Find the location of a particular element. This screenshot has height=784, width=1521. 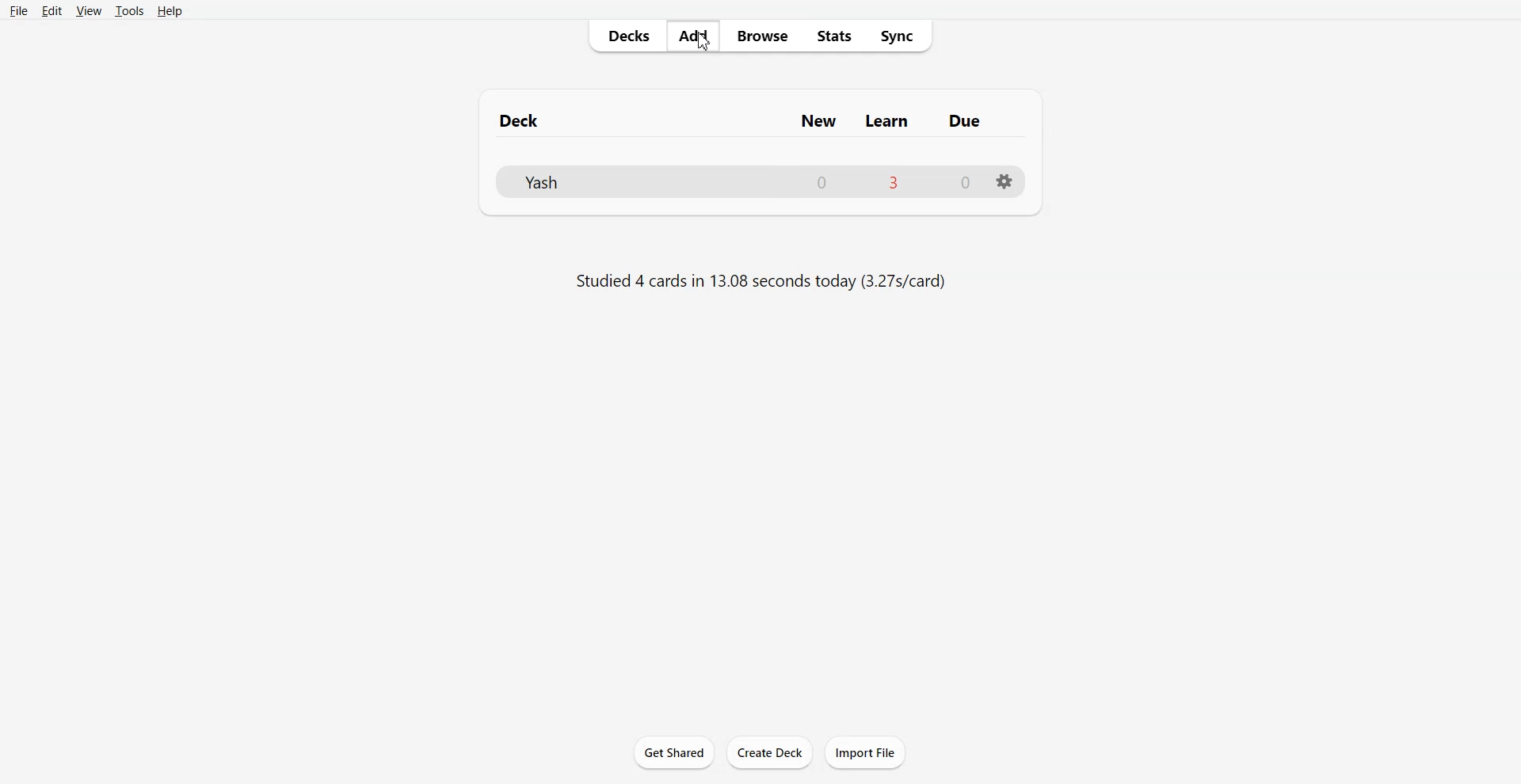

View is located at coordinates (89, 10).